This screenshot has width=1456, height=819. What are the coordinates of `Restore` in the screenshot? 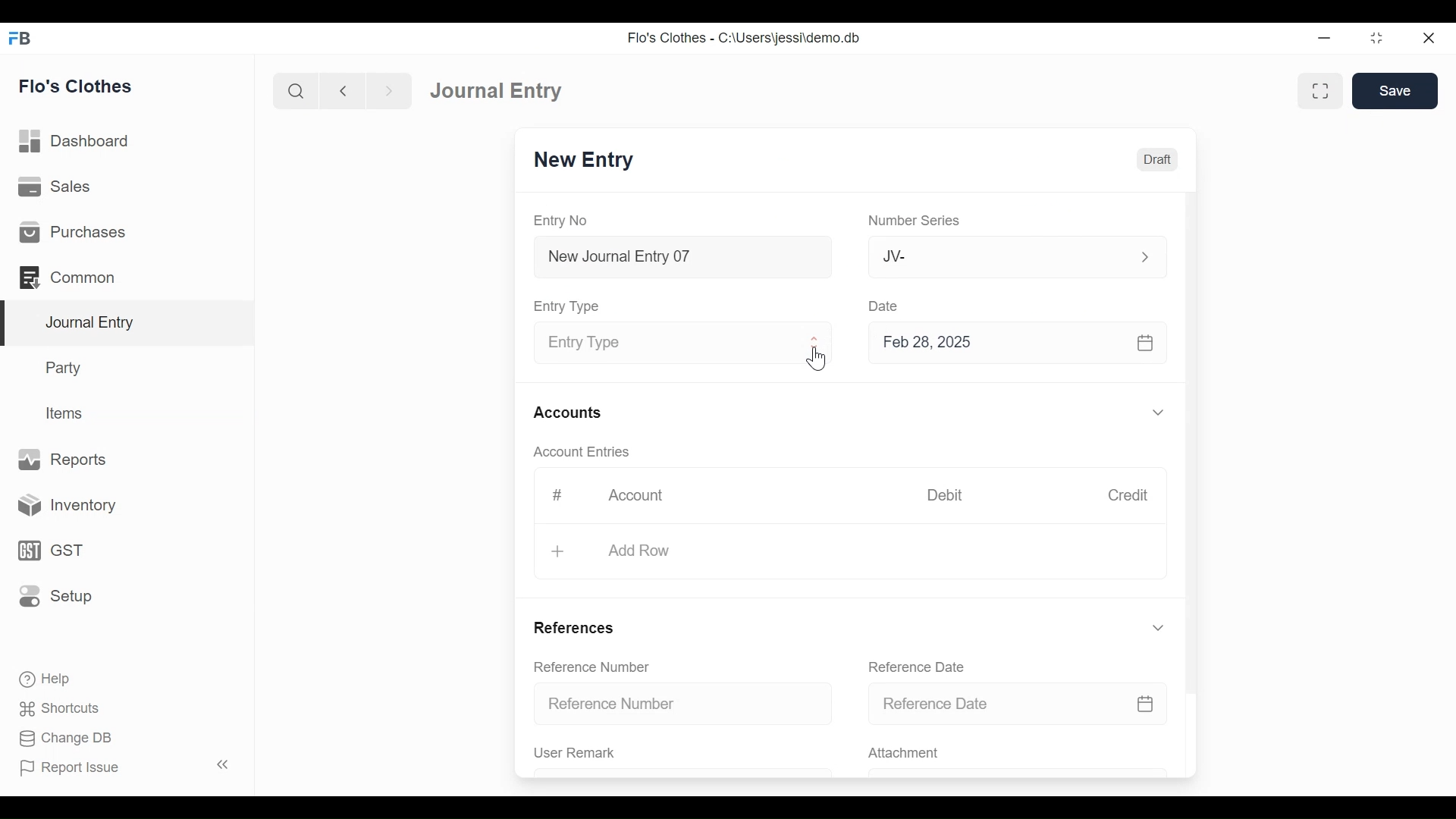 It's located at (1376, 38).